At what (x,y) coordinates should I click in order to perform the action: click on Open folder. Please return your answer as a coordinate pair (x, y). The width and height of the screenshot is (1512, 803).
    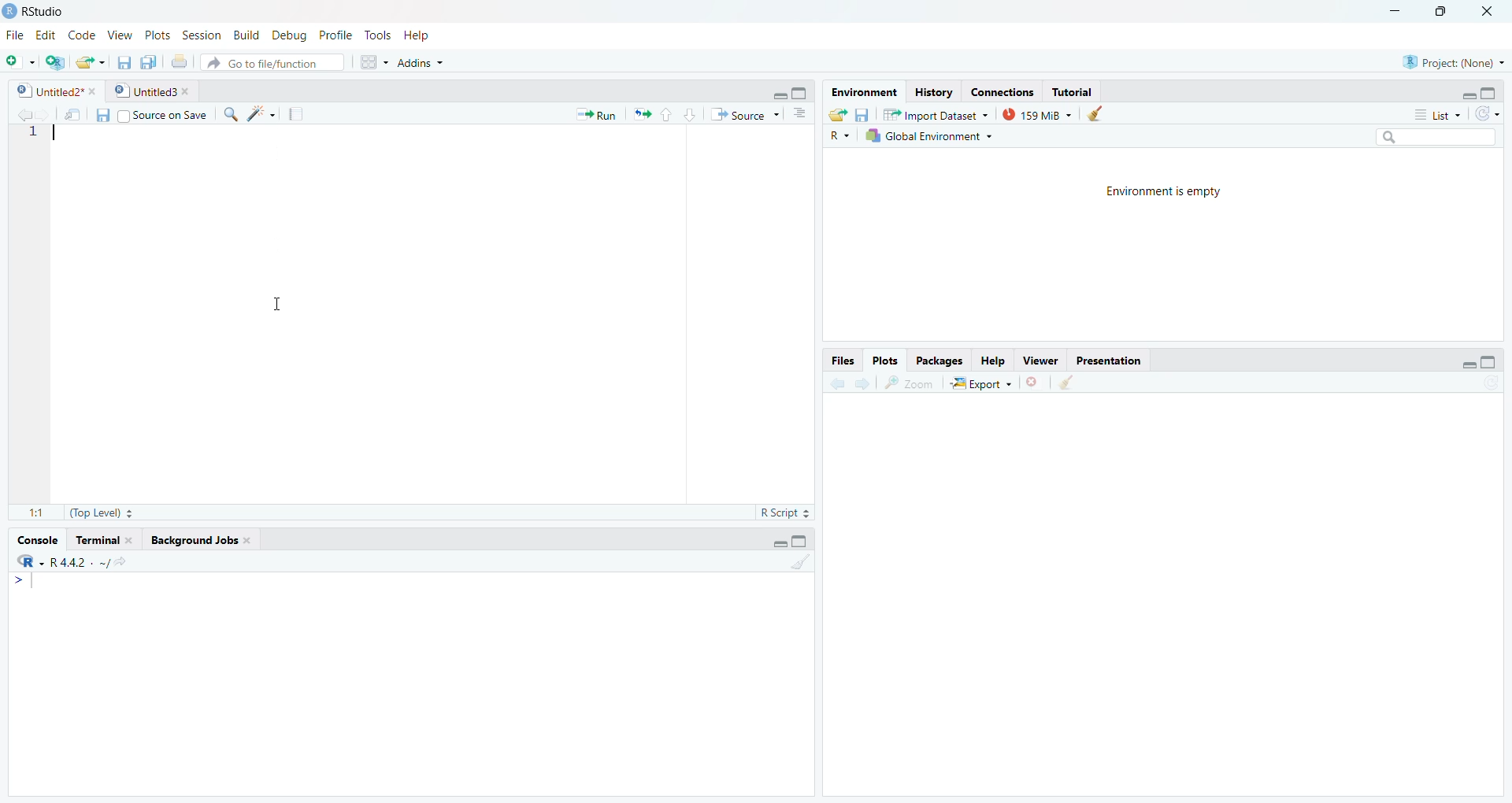
    Looking at the image, I should click on (836, 115).